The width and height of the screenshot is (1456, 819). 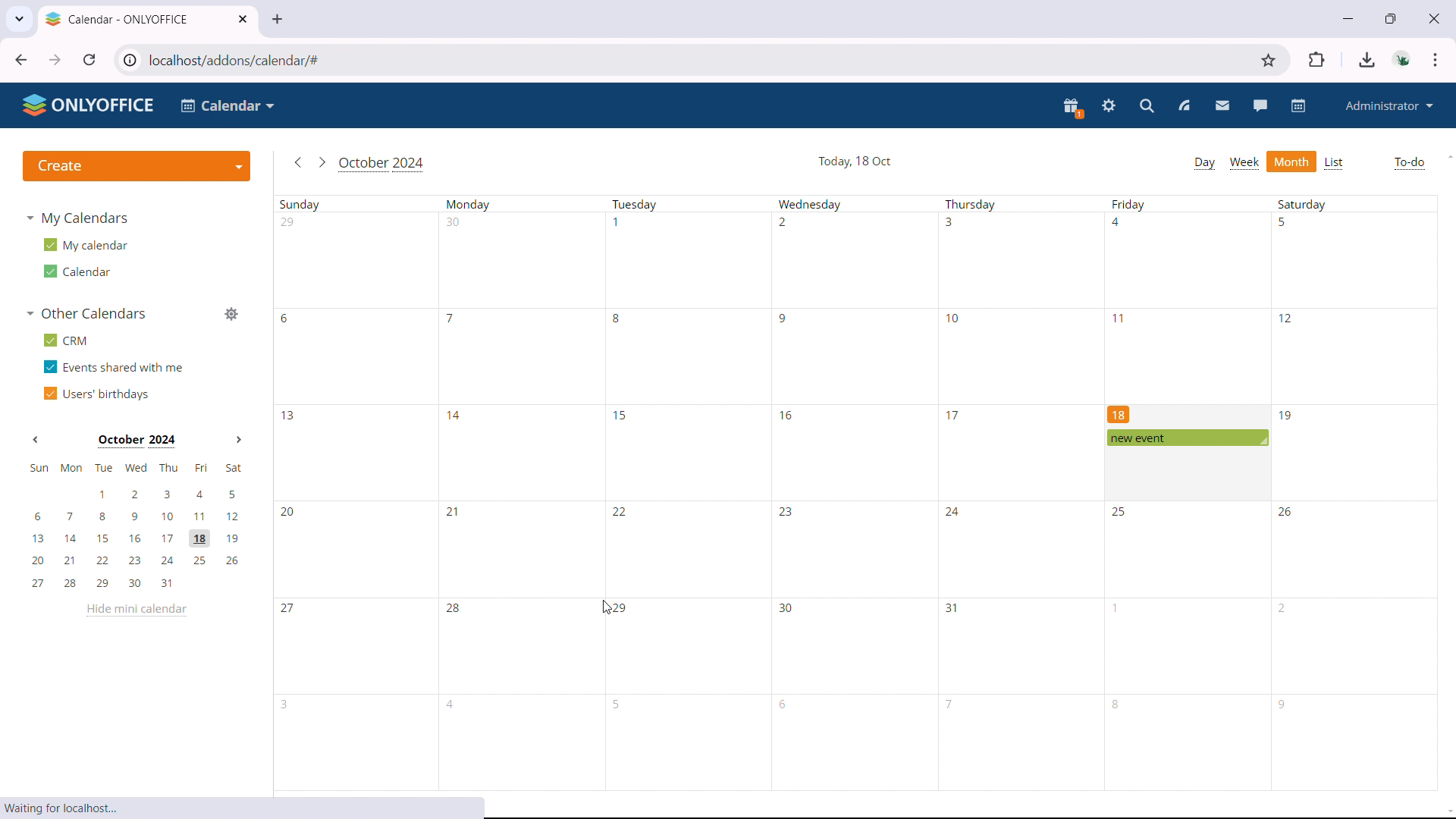 I want to click on week, so click(x=1244, y=164).